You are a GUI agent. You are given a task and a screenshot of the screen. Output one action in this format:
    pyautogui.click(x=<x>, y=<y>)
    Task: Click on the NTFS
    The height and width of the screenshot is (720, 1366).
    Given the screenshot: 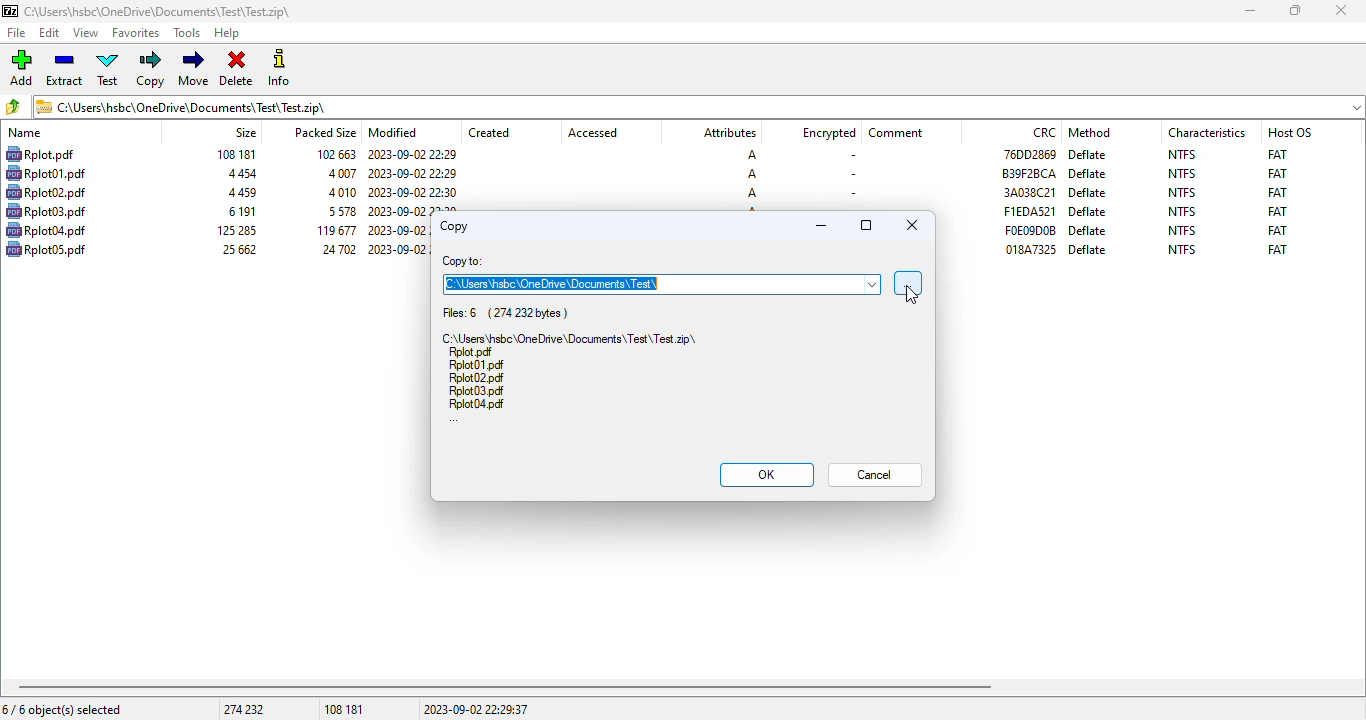 What is the action you would take?
    pyautogui.click(x=1183, y=230)
    